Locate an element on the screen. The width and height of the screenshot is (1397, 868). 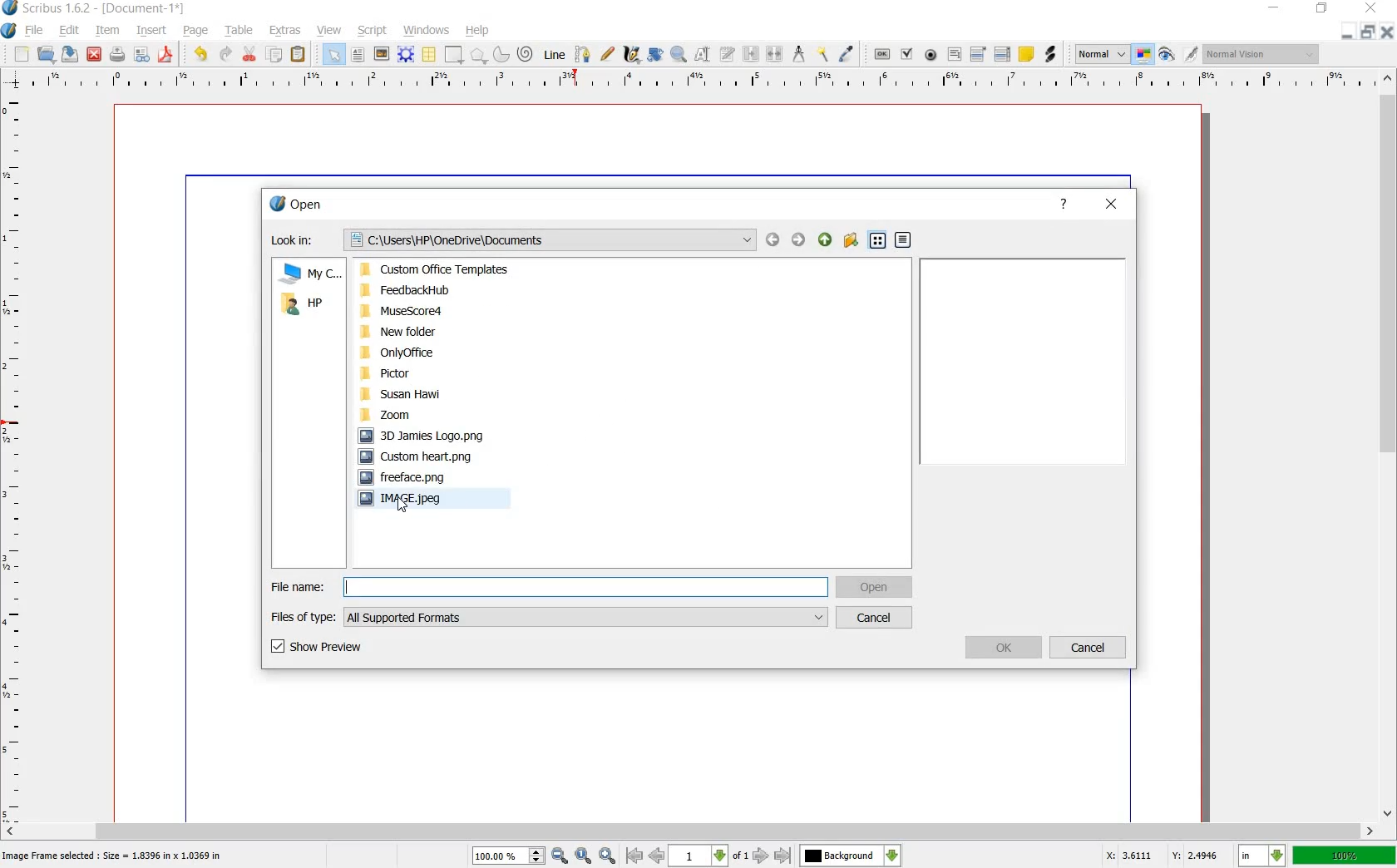
eye dropper is located at coordinates (847, 53).